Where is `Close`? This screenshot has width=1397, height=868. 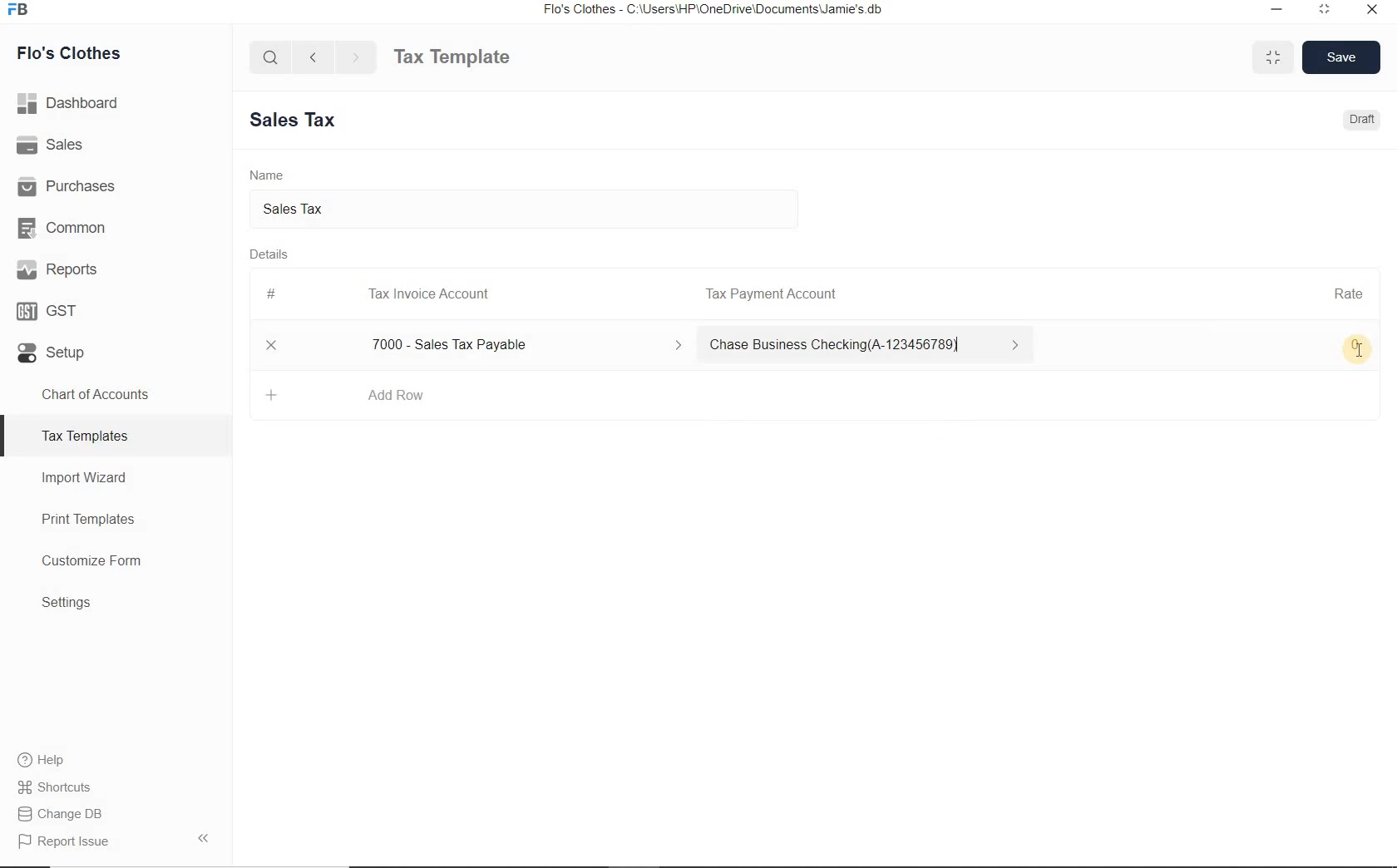
Close is located at coordinates (272, 345).